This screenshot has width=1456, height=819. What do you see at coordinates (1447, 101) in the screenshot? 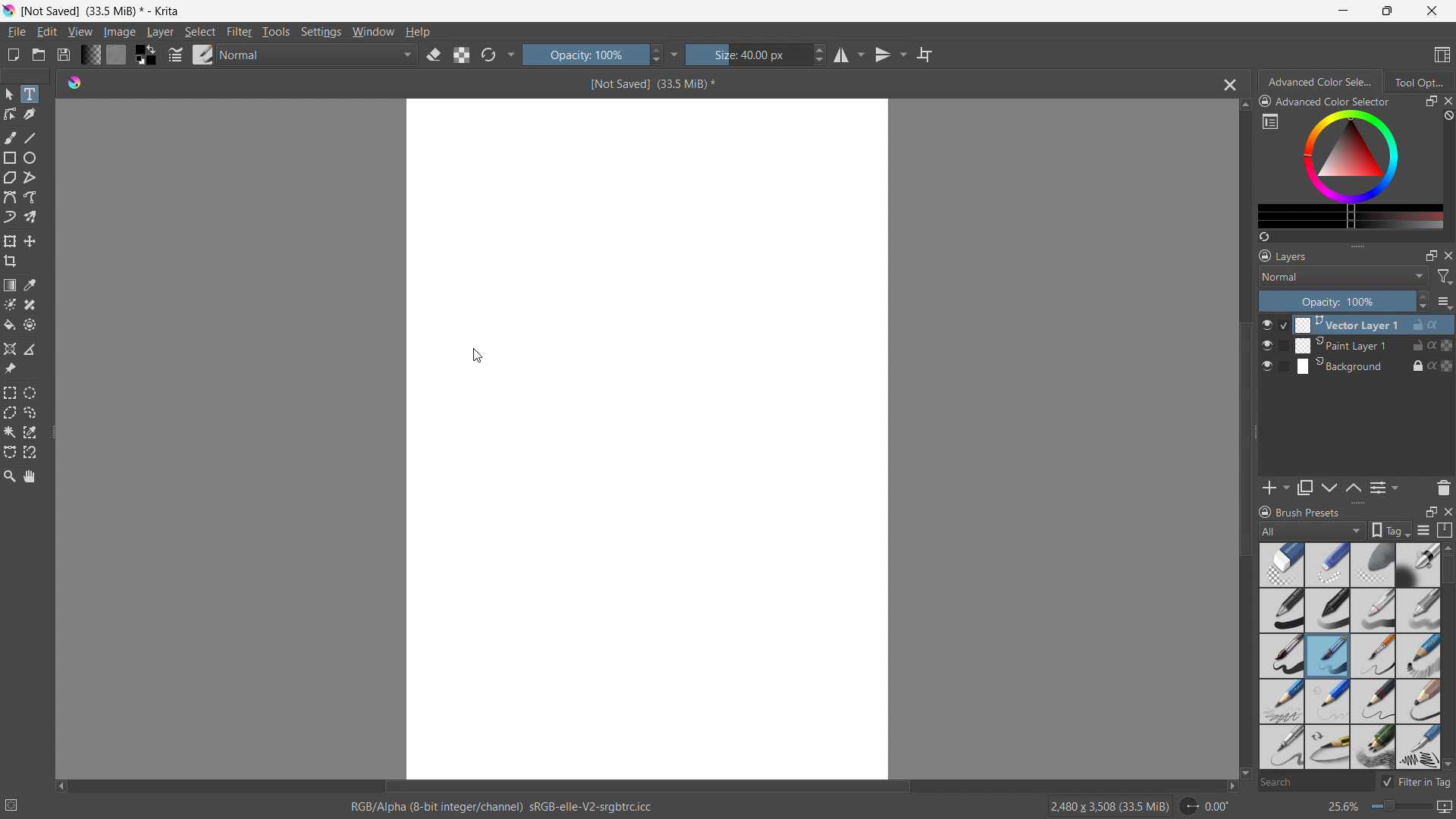
I see `close` at bounding box center [1447, 101].